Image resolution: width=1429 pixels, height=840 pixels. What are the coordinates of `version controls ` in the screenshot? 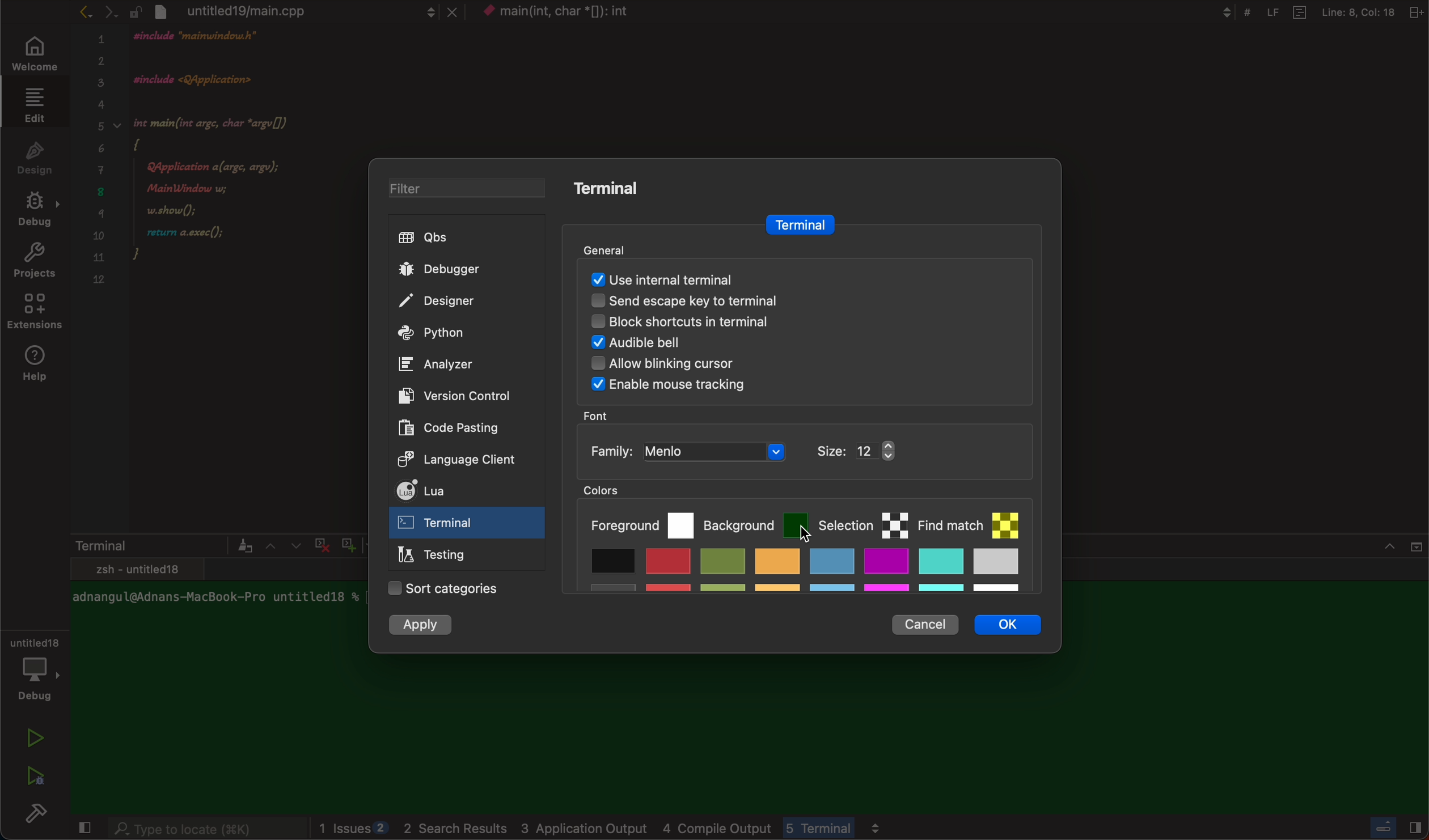 It's located at (450, 395).